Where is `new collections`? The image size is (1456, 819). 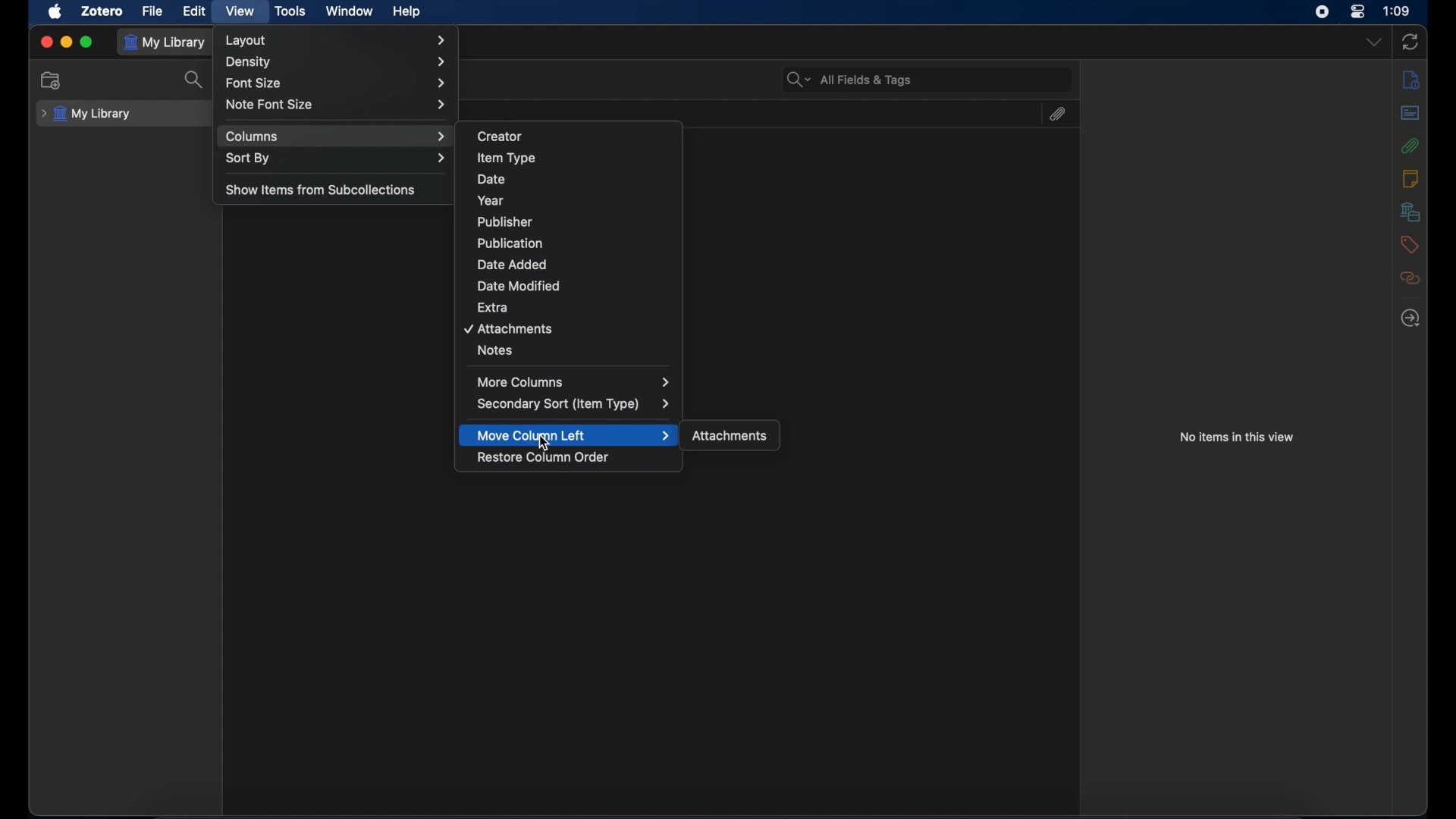 new collections is located at coordinates (53, 80).